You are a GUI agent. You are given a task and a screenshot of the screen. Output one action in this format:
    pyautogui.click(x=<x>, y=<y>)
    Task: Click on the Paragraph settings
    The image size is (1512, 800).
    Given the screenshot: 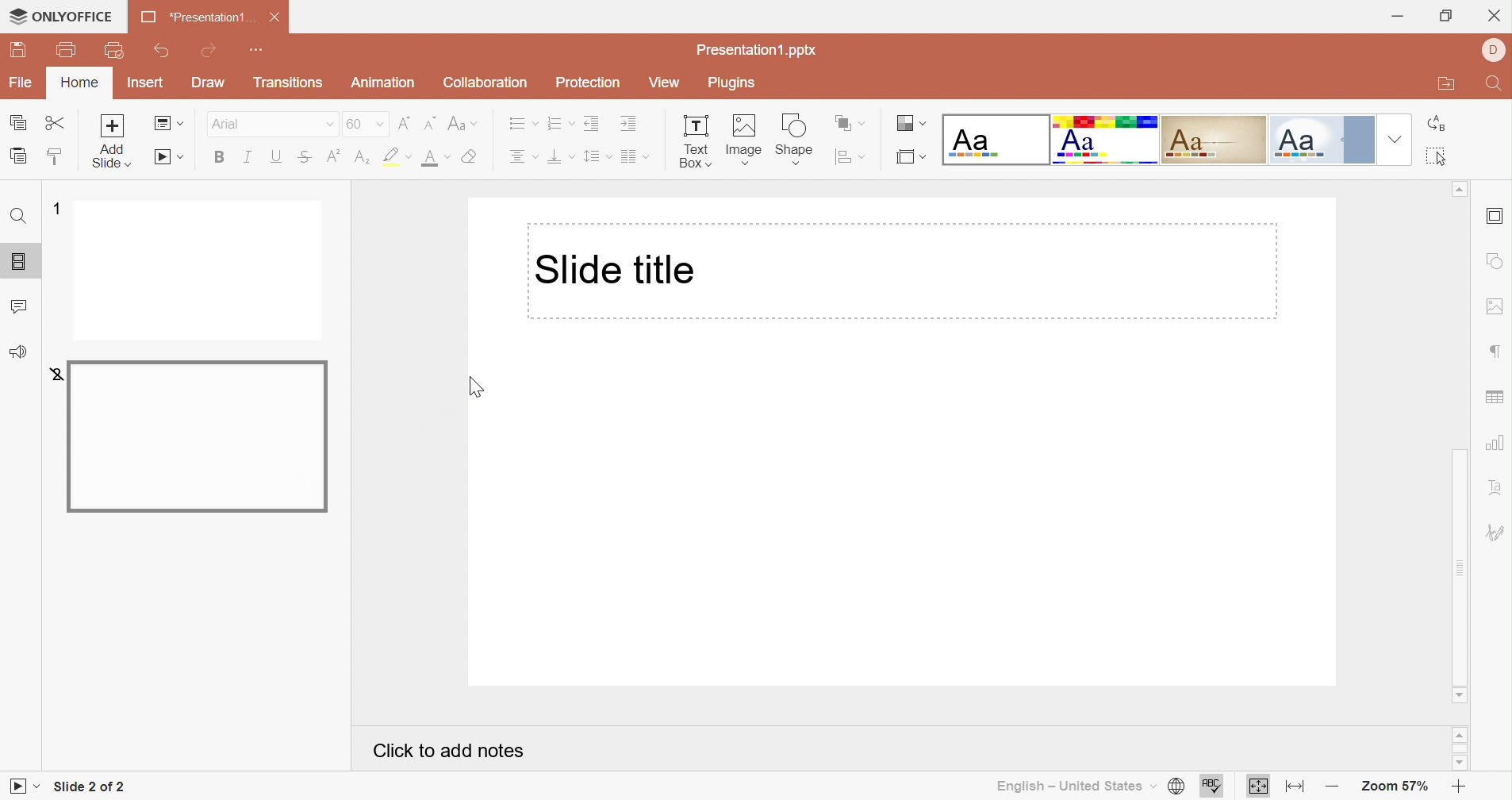 What is the action you would take?
    pyautogui.click(x=1495, y=352)
    